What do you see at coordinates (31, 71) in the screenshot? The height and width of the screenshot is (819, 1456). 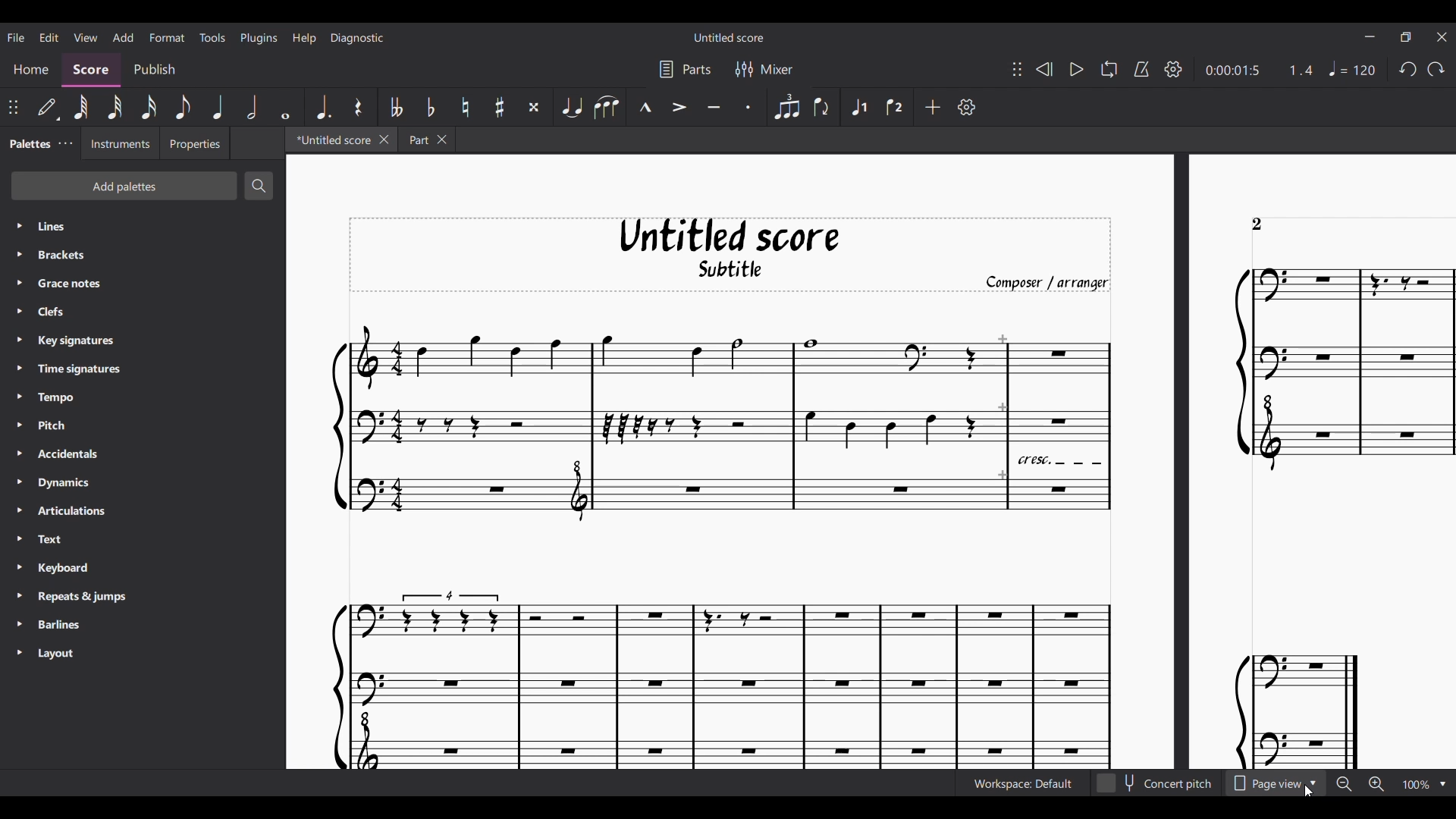 I see `Home section` at bounding box center [31, 71].